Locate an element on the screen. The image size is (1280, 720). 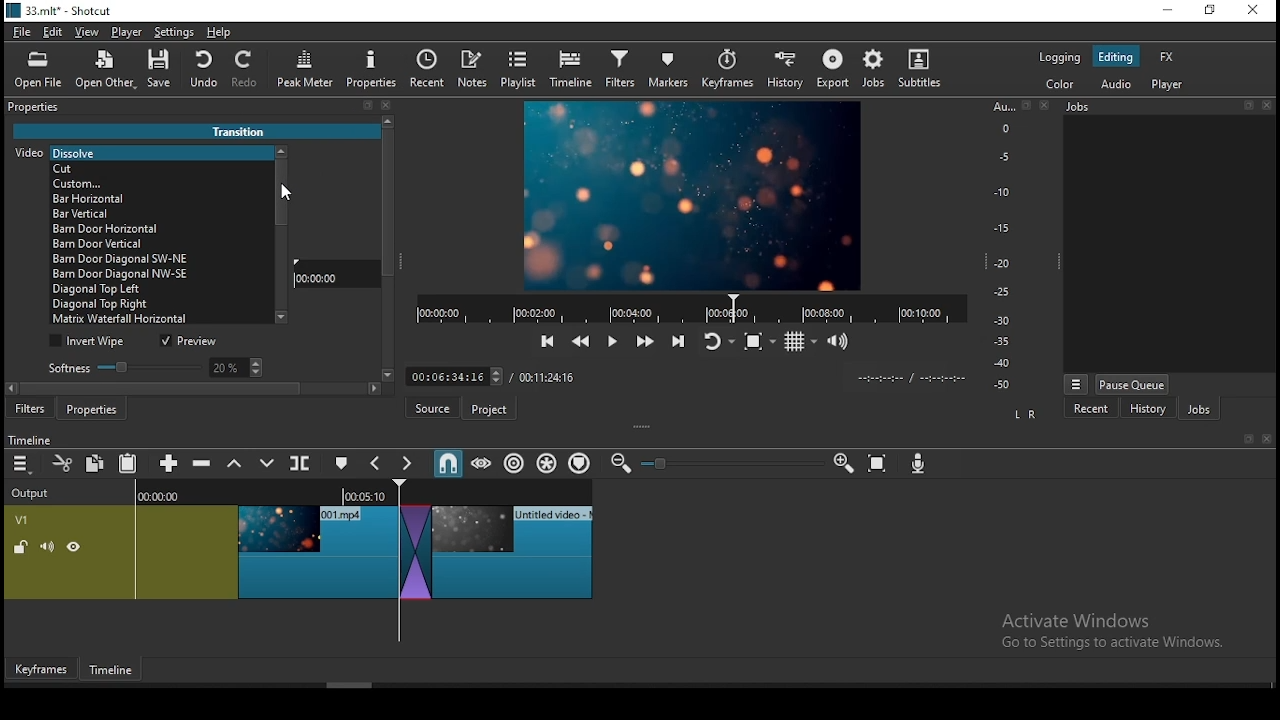
play quickly backward is located at coordinates (579, 339).